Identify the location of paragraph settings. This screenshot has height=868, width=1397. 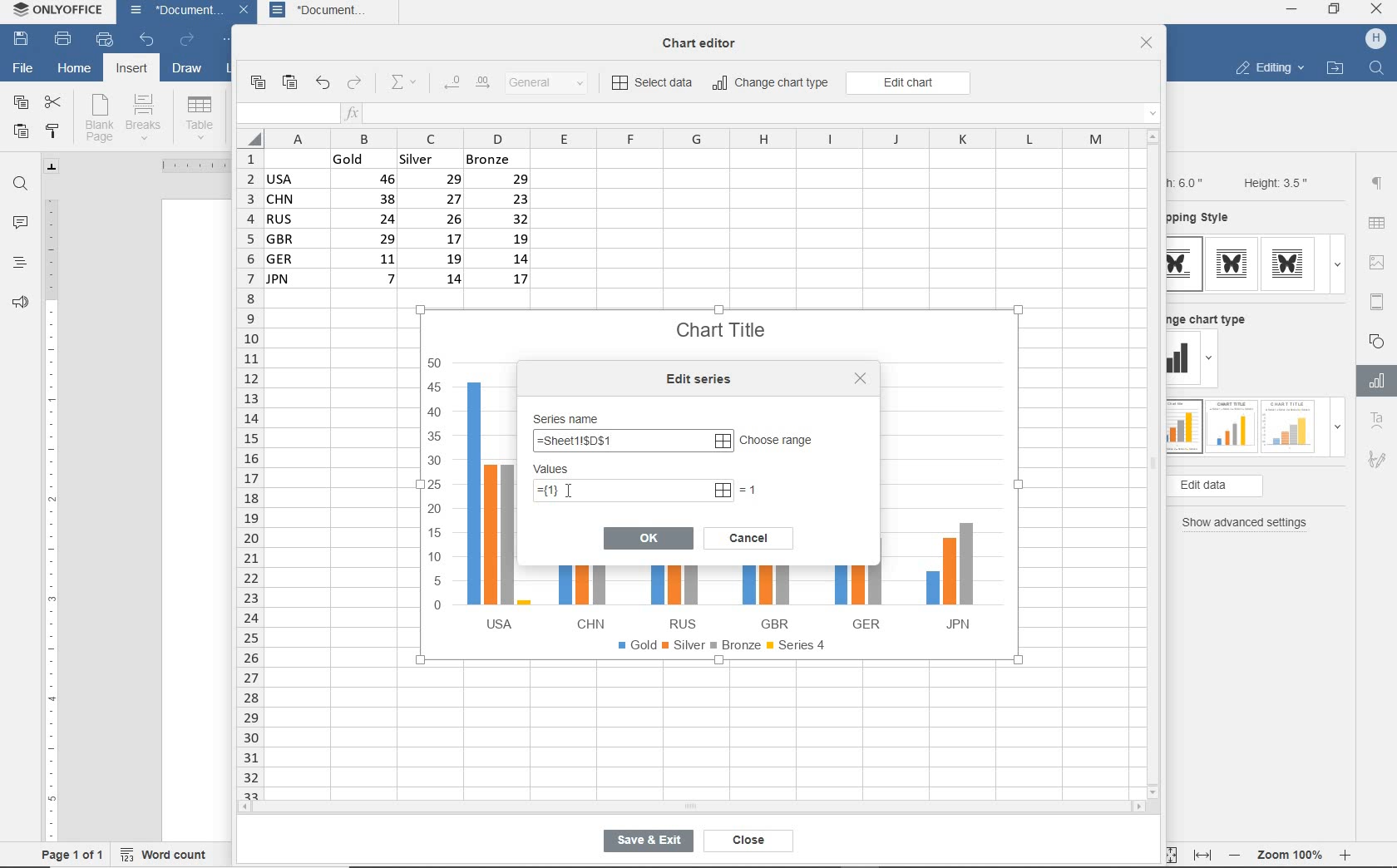
(1377, 183).